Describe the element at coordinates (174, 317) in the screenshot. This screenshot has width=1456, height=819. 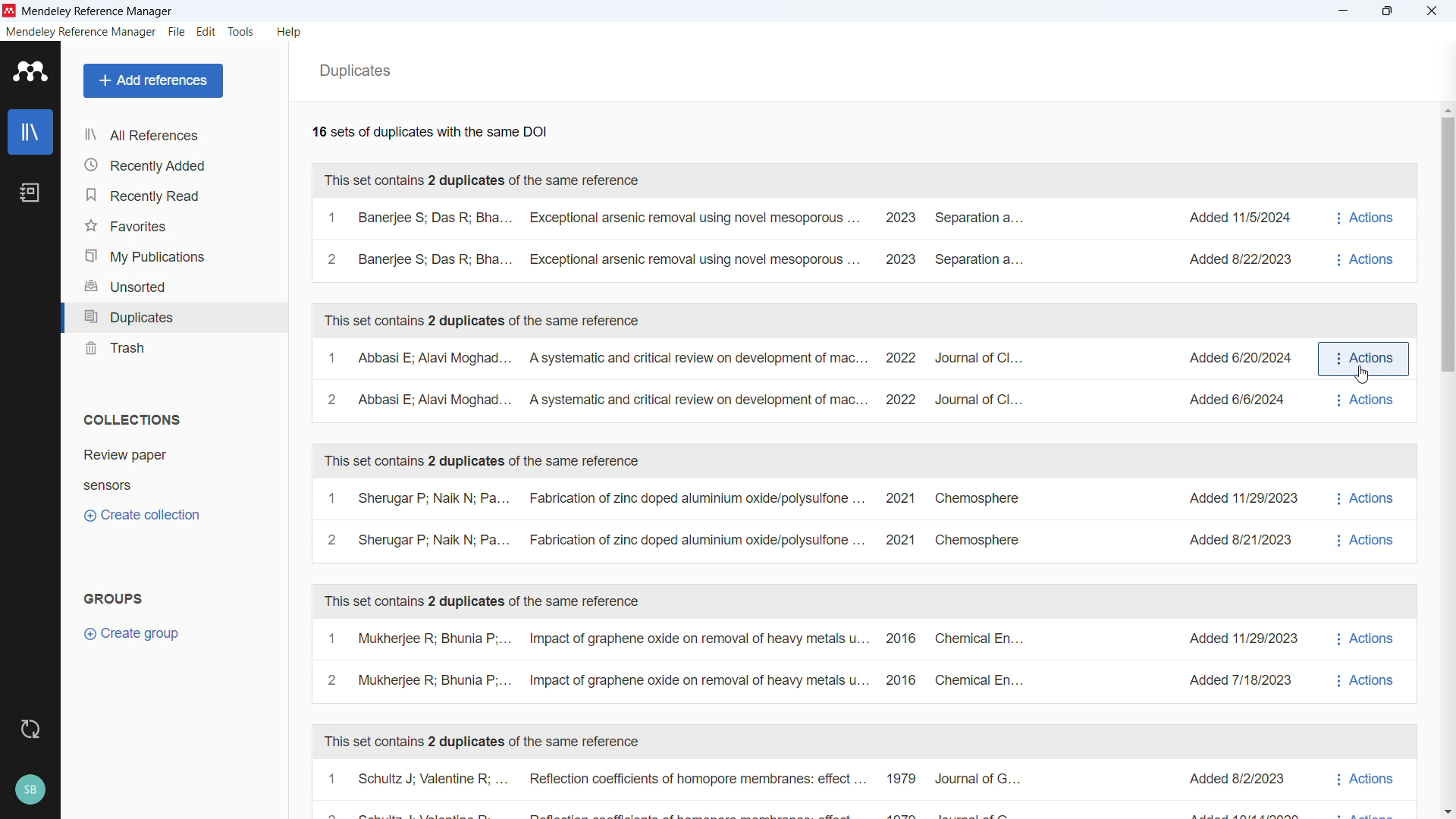
I see `Duplicates ` at that location.